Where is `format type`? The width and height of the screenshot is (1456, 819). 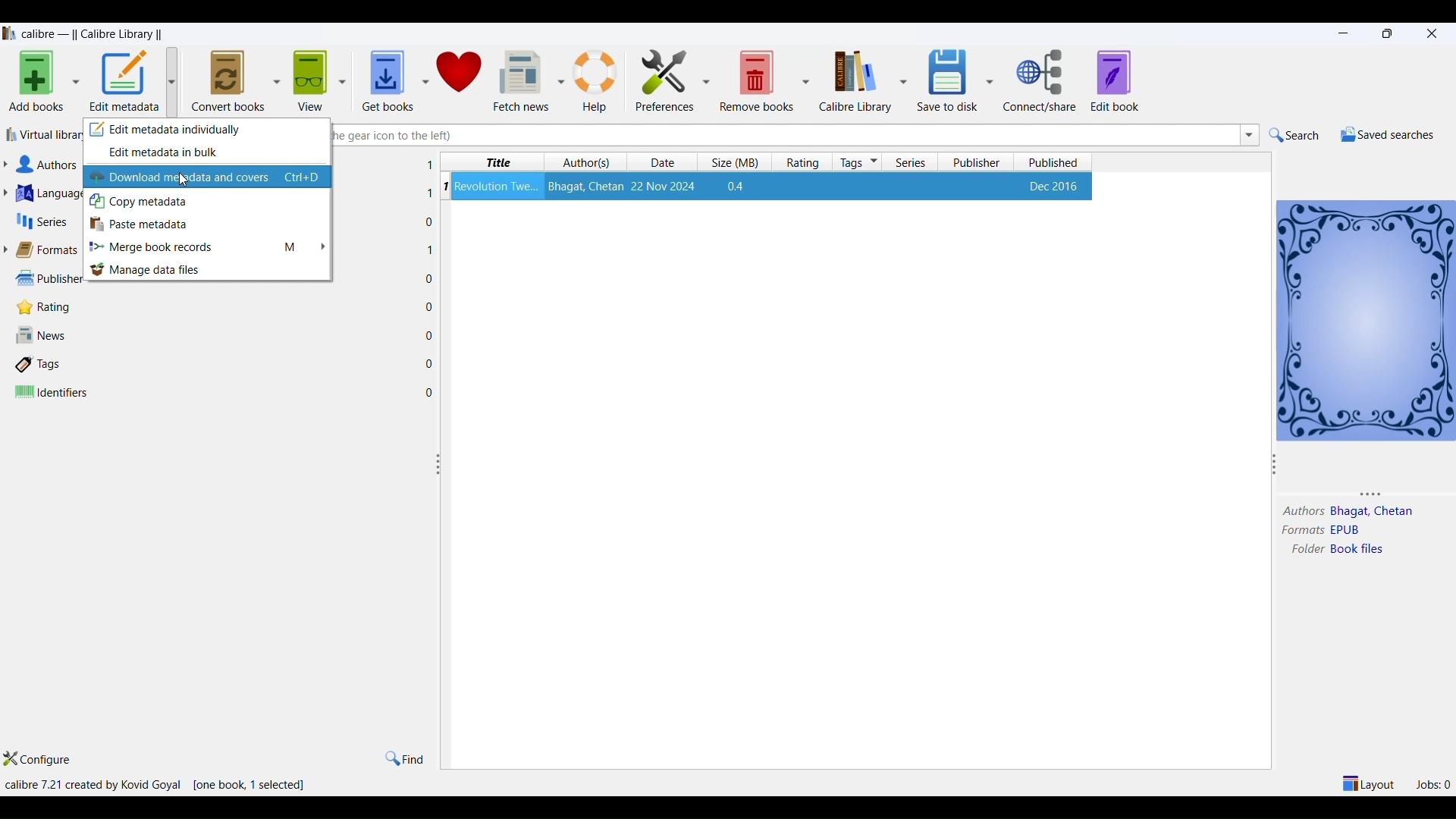 format type is located at coordinates (1349, 530).